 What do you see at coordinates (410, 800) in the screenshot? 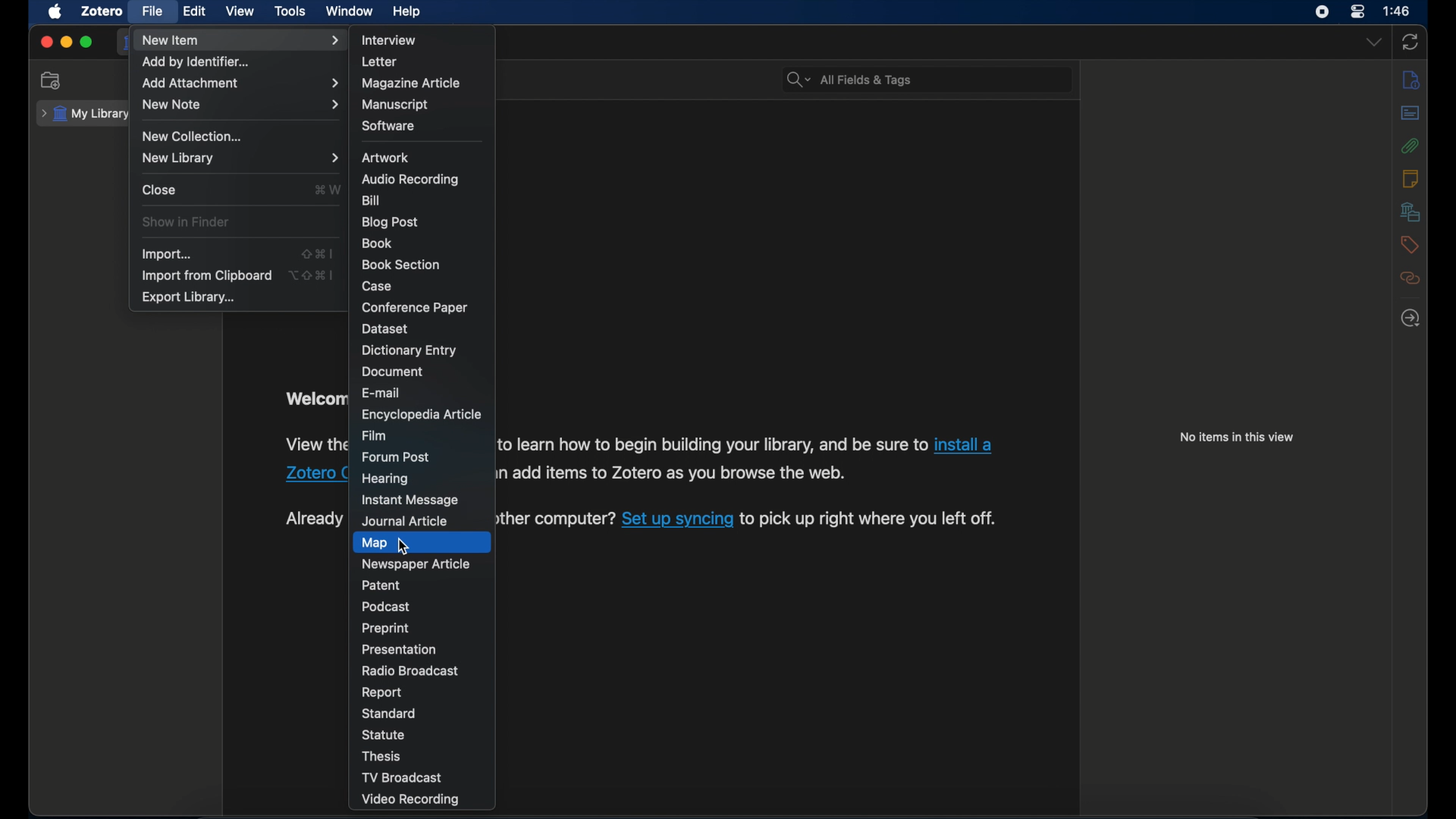
I see `video recording` at bounding box center [410, 800].